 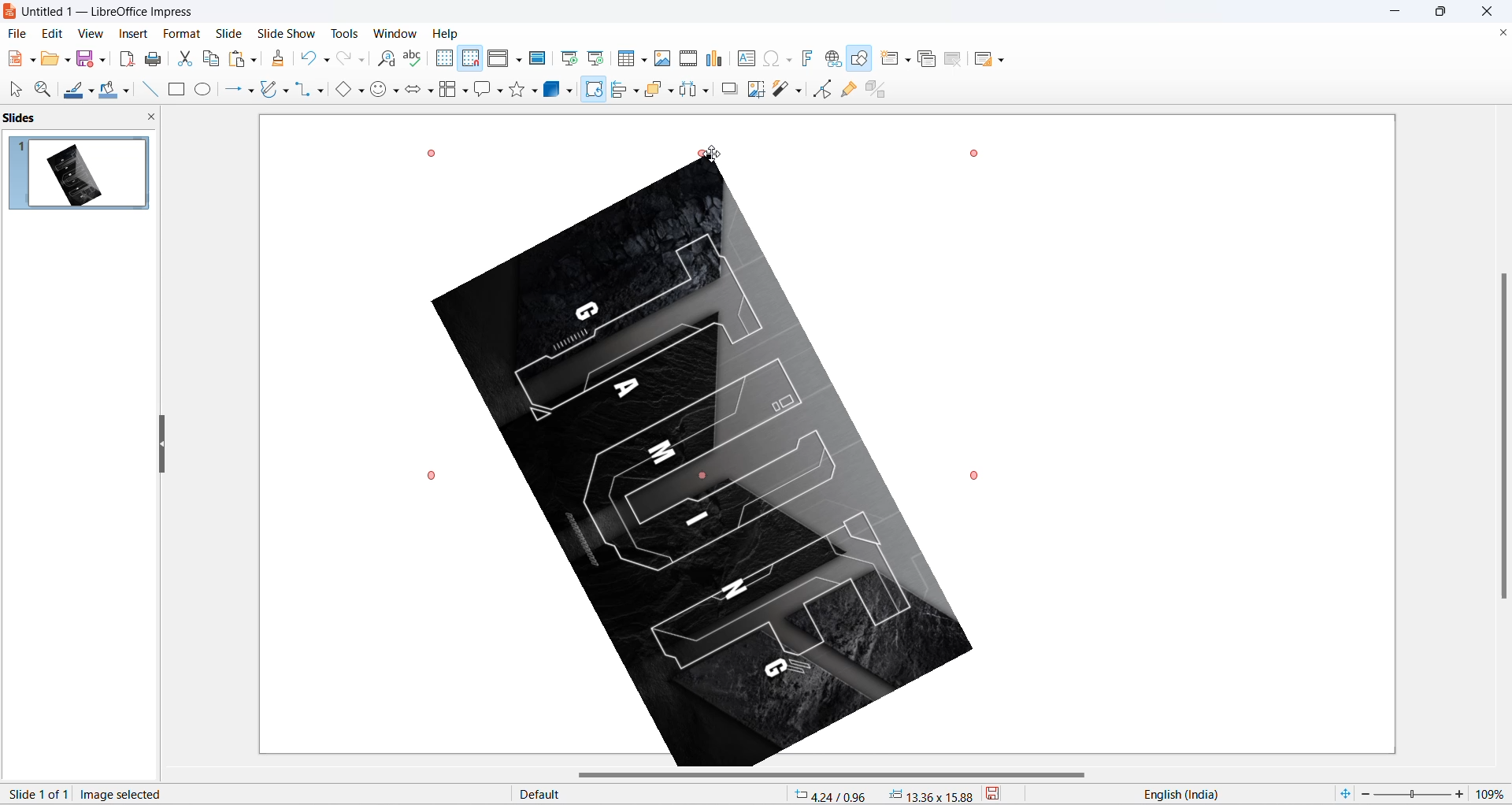 I want to click on save options, so click(x=103, y=58).